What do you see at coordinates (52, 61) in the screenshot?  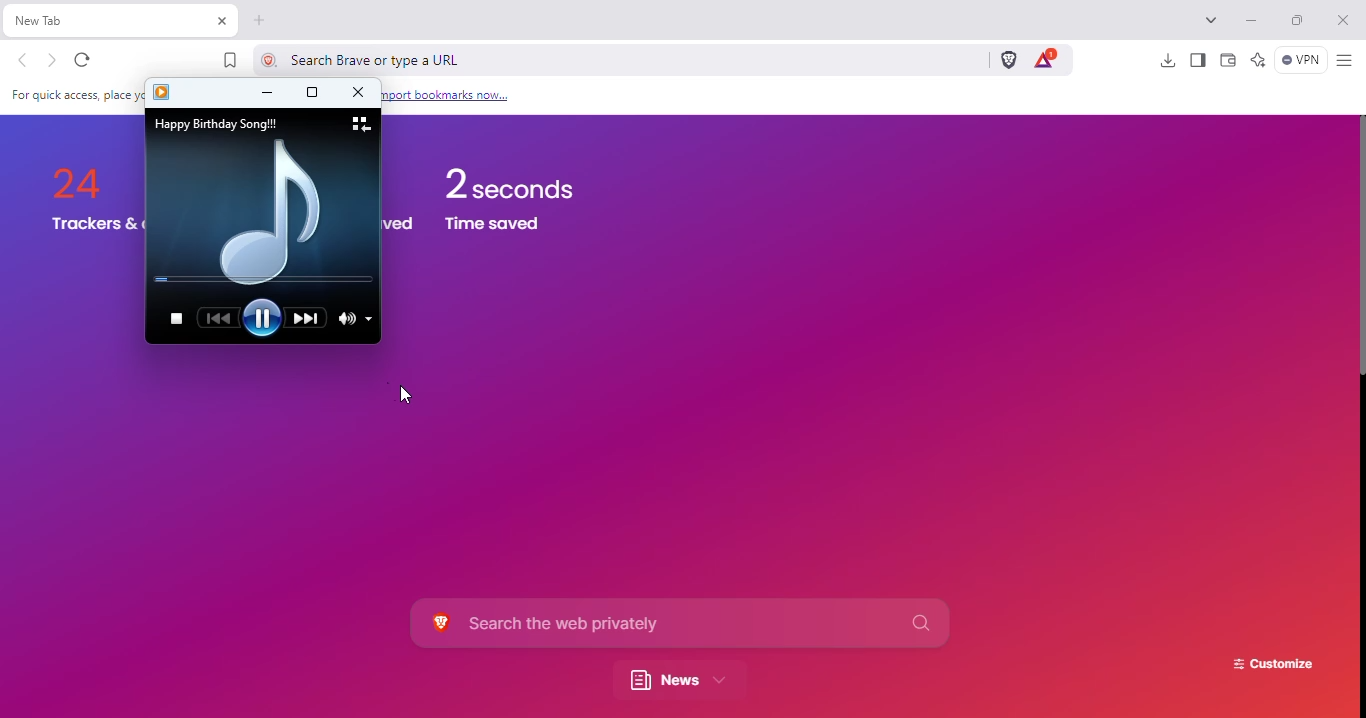 I see `click to go forward` at bounding box center [52, 61].